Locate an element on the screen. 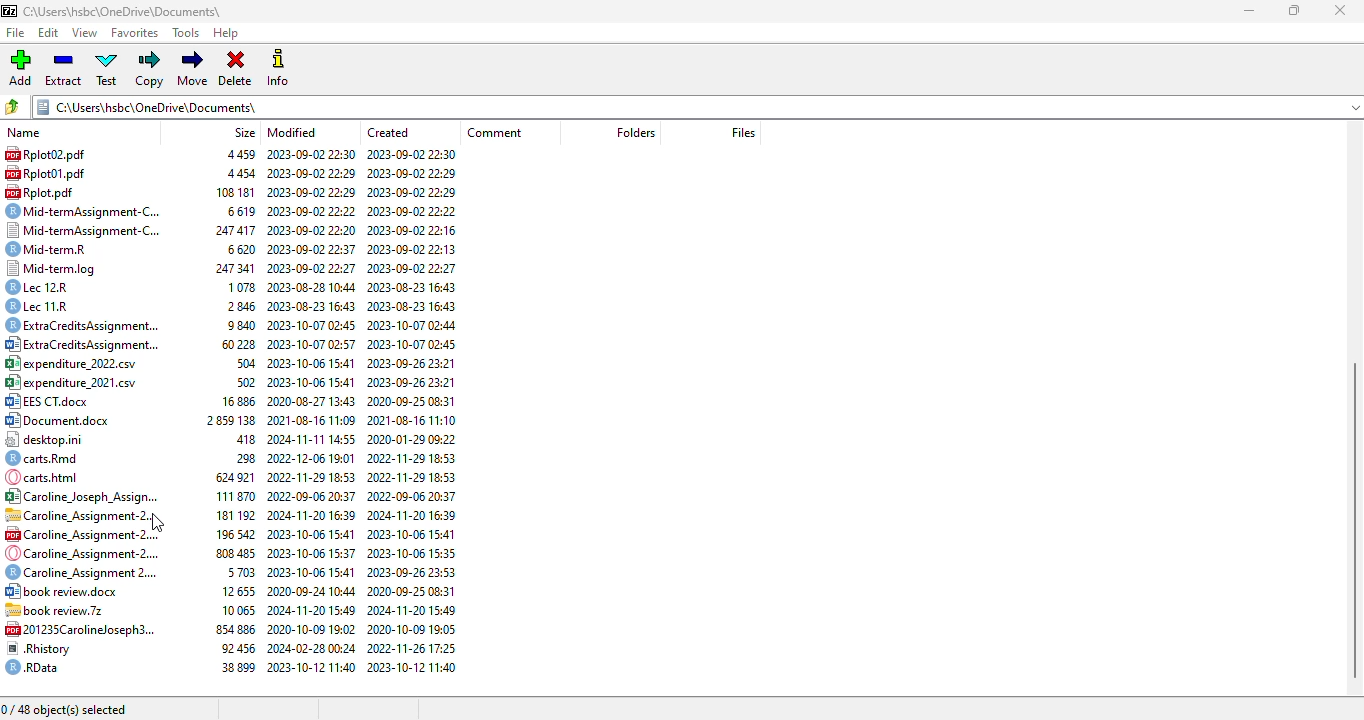 The image size is (1364, 720). 2023-10-12 11:40 is located at coordinates (414, 667).